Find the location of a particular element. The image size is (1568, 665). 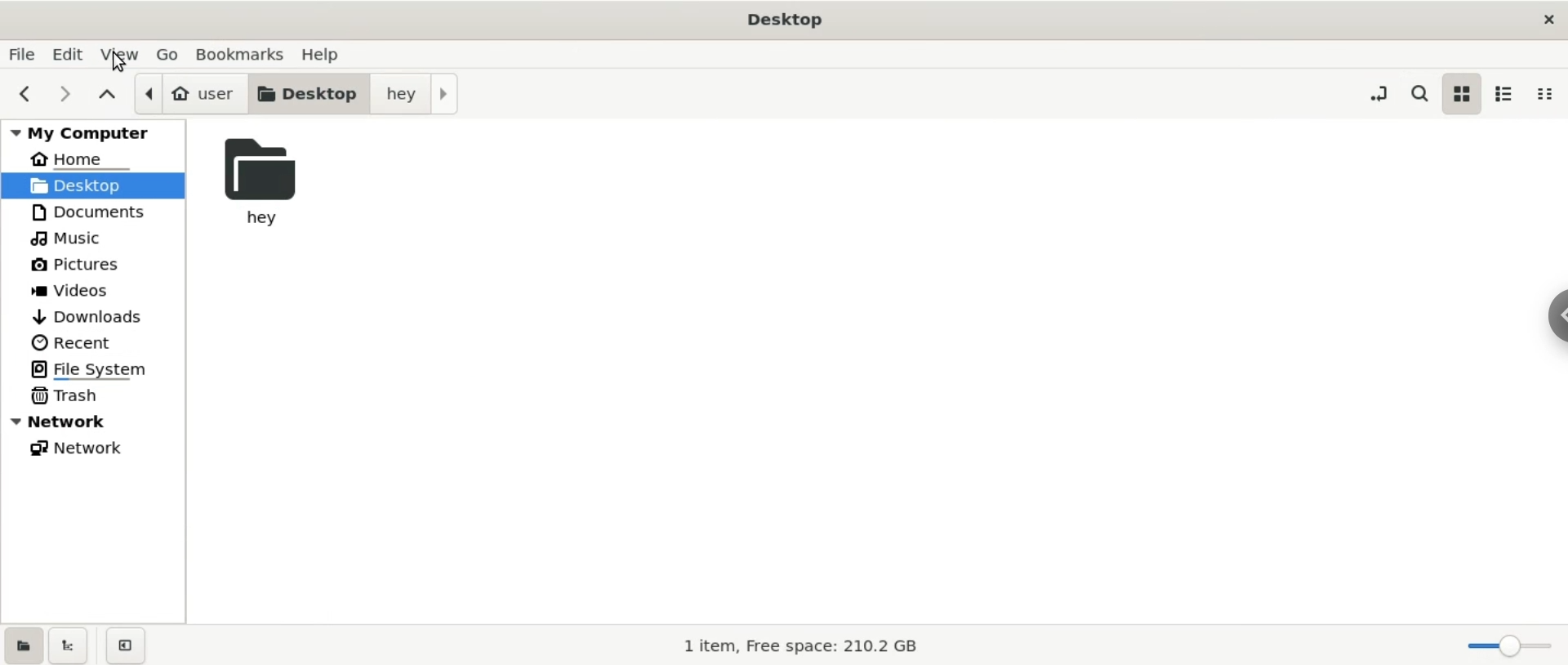

next is located at coordinates (66, 92).